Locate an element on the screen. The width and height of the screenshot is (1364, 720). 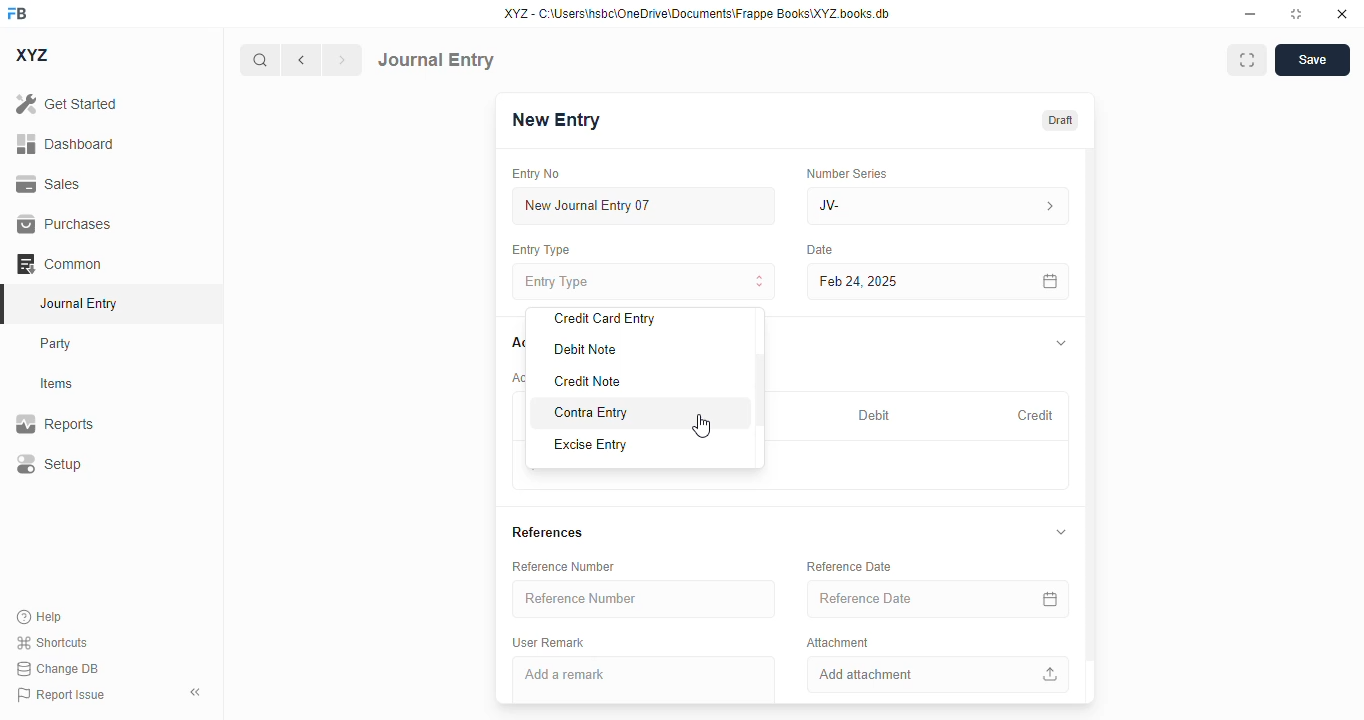
JV- is located at coordinates (938, 206).